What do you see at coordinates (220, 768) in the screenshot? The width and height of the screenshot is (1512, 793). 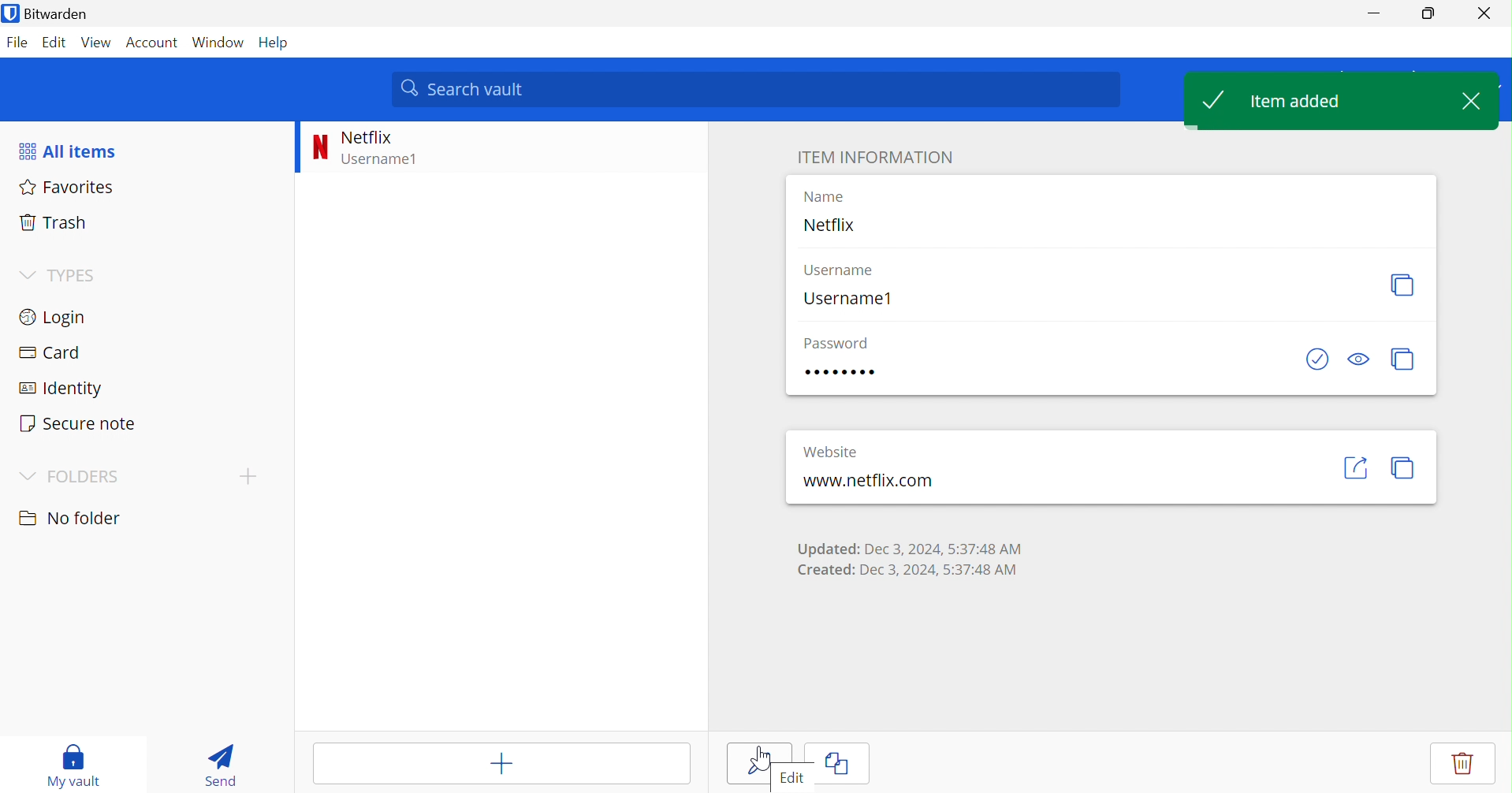 I see `Send` at bounding box center [220, 768].